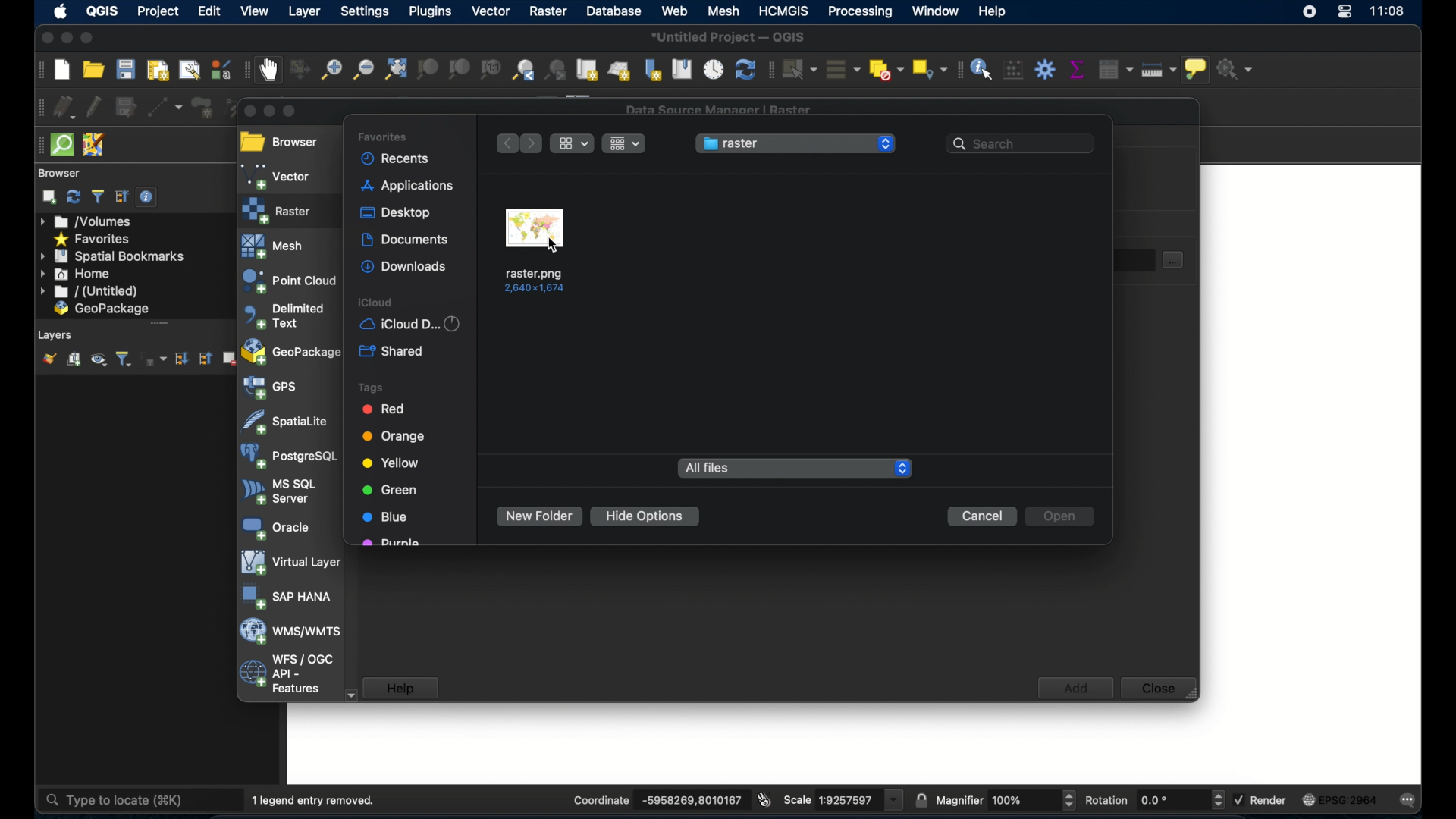  Describe the element at coordinates (187, 71) in the screenshot. I see `show layout manager` at that location.